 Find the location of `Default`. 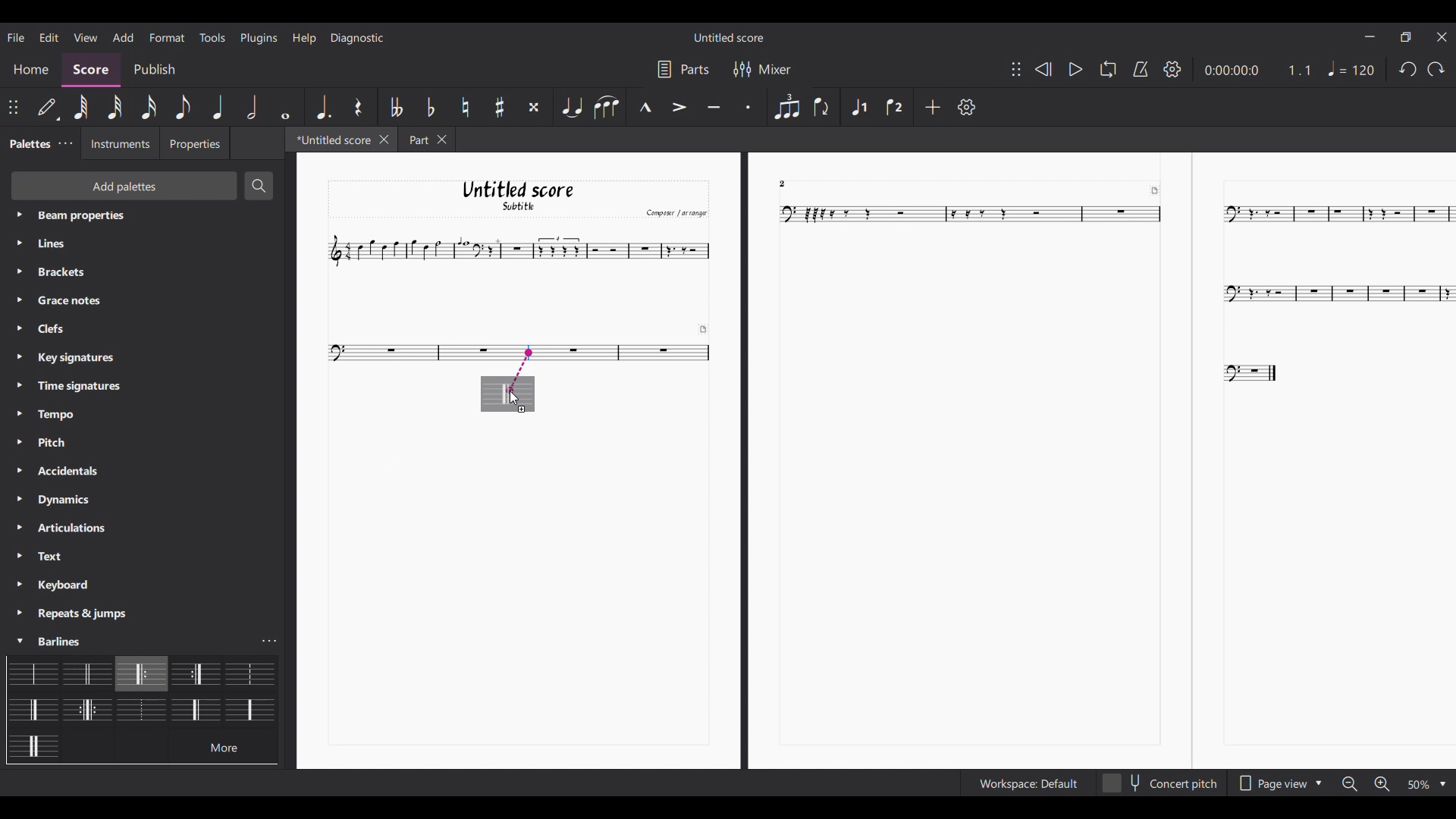

Default is located at coordinates (48, 108).